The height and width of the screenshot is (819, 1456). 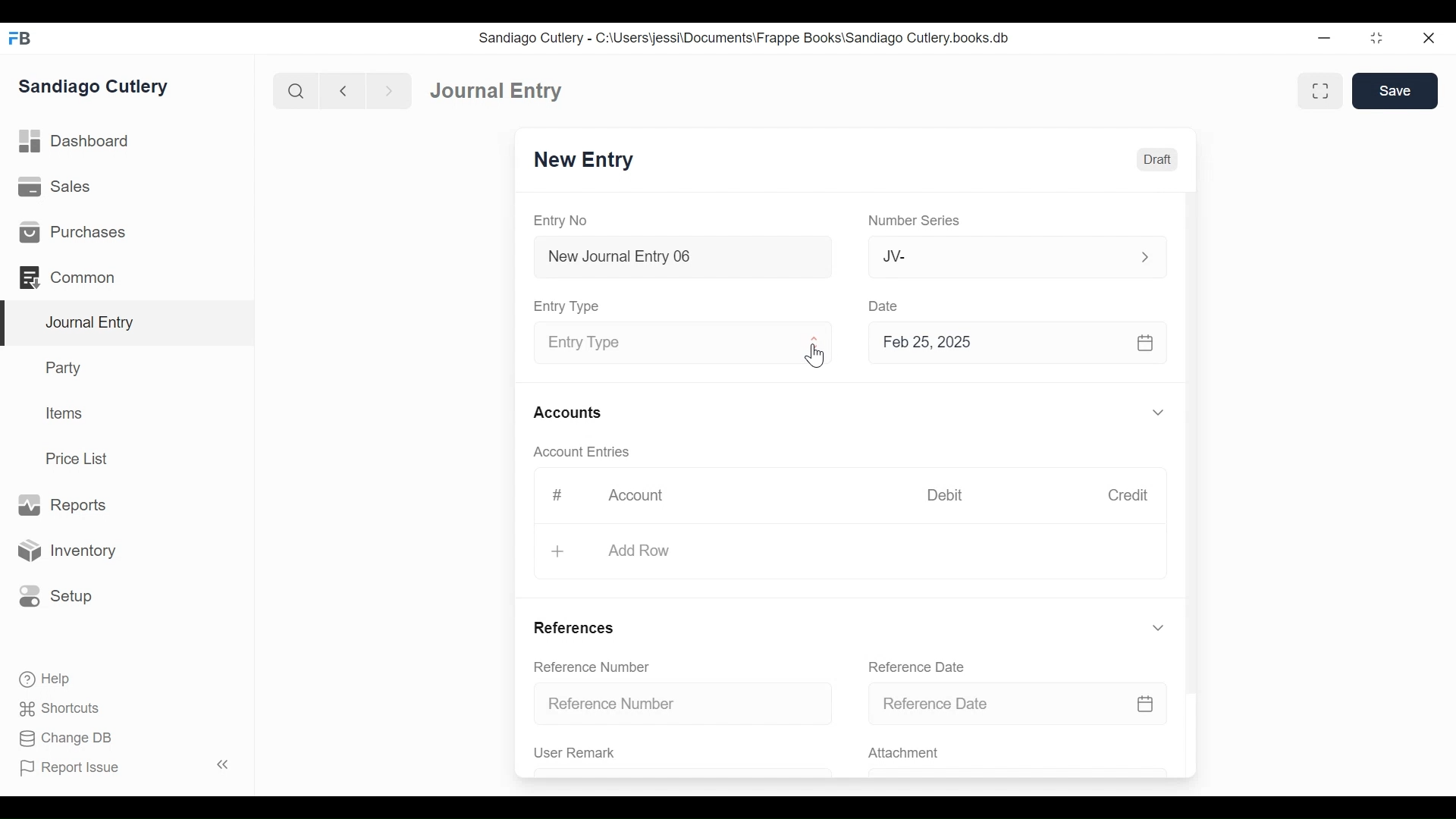 I want to click on Frappe Books Desktop icon, so click(x=21, y=39).